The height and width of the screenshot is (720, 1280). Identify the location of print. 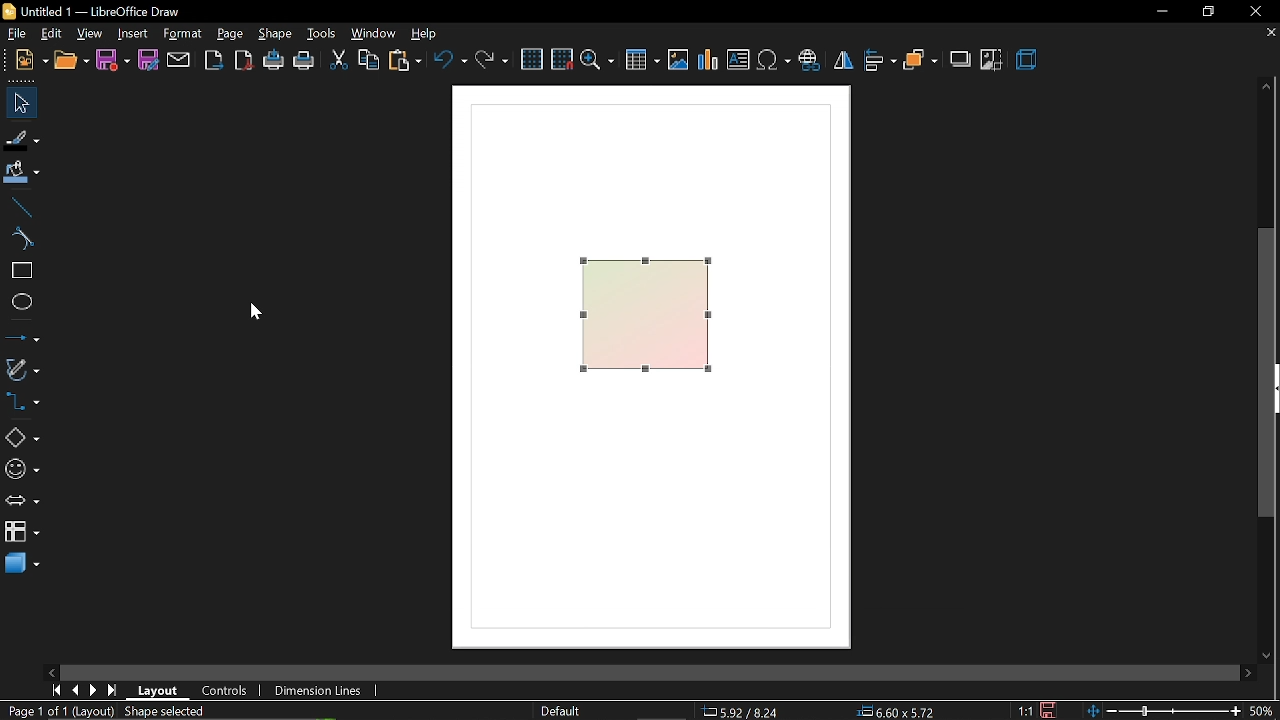
(305, 62).